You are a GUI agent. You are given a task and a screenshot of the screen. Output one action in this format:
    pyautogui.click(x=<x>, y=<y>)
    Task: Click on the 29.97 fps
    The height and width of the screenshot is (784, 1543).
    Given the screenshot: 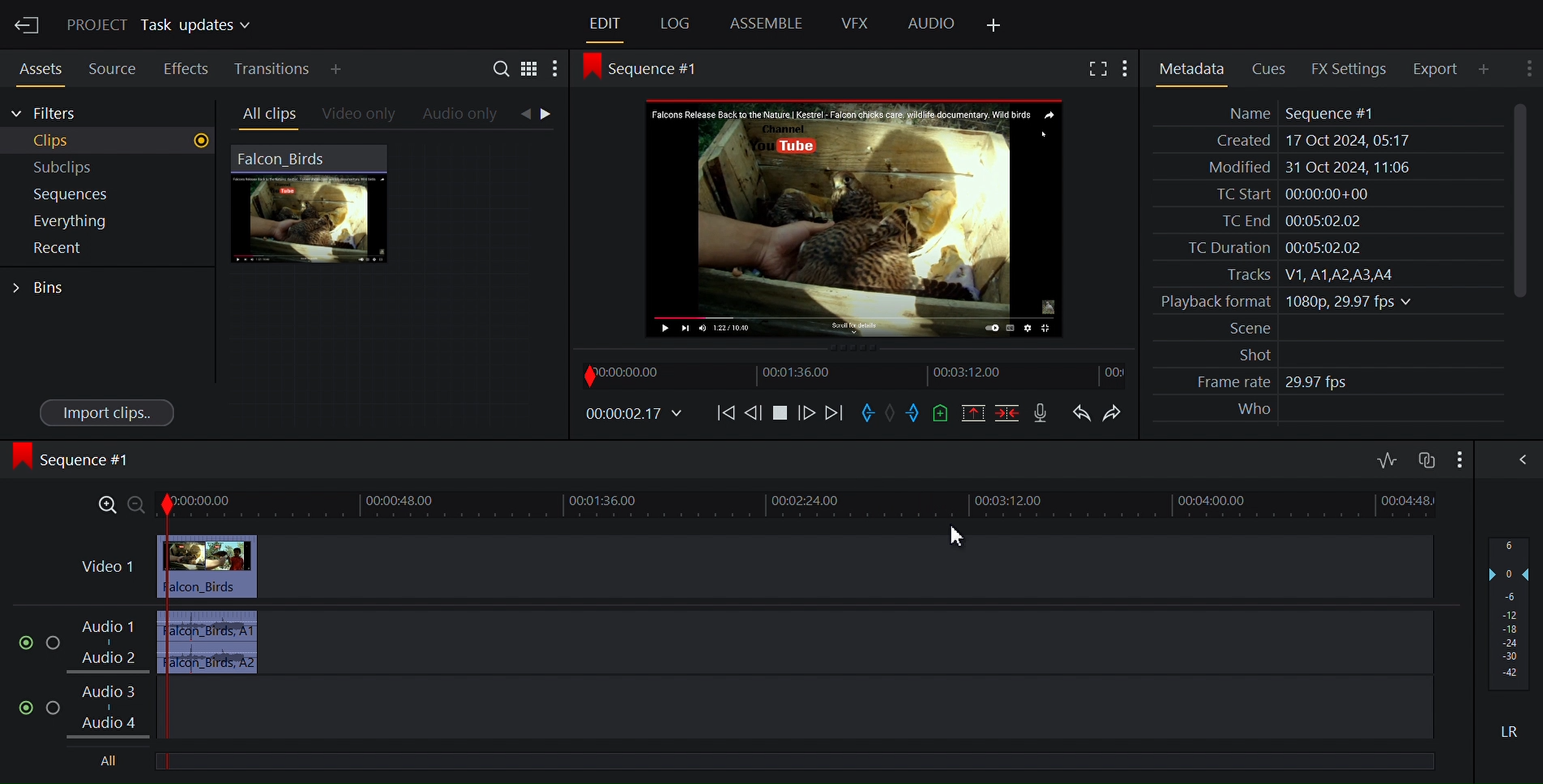 What is the action you would take?
    pyautogui.click(x=1321, y=383)
    